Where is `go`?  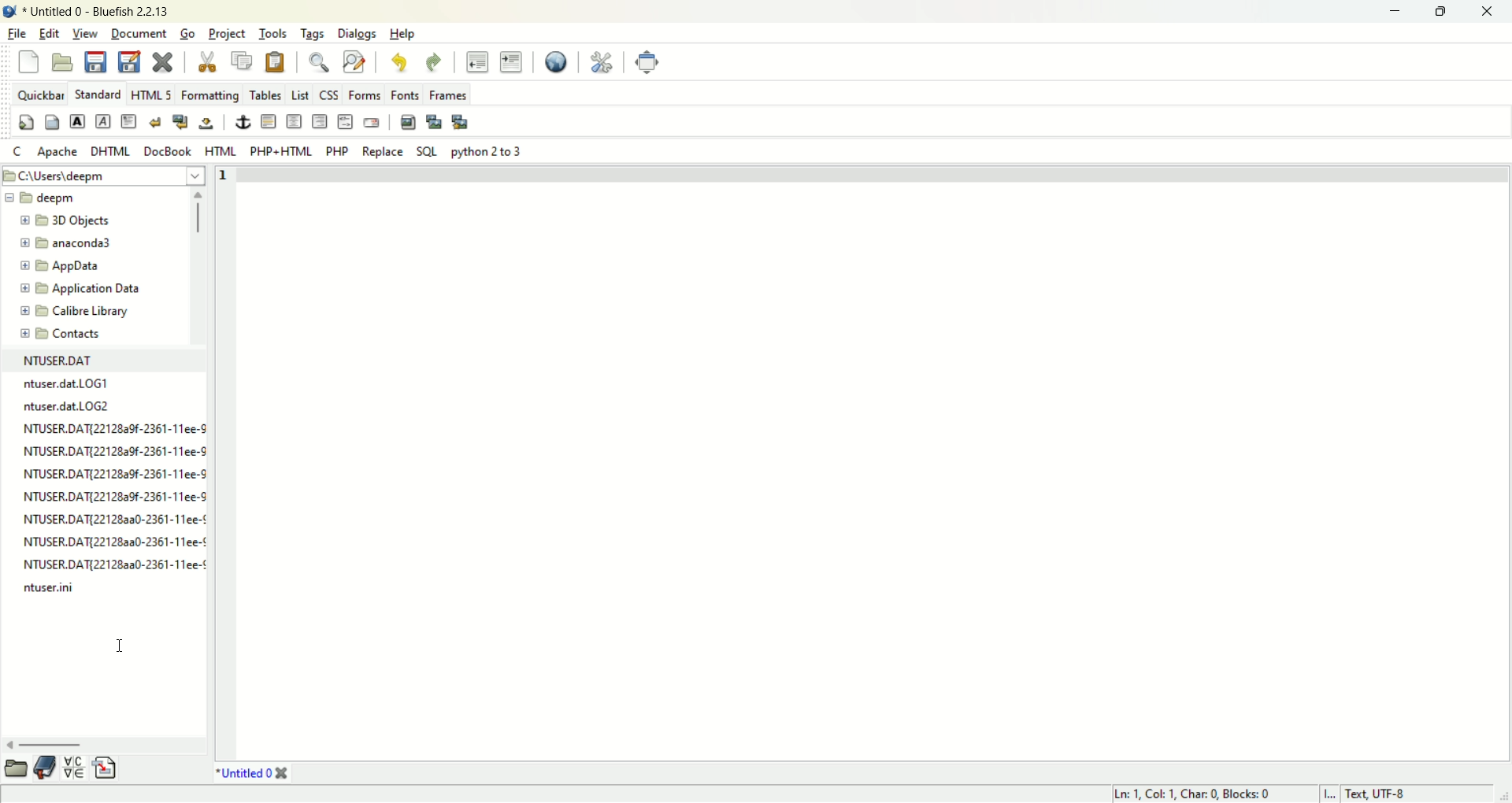 go is located at coordinates (187, 34).